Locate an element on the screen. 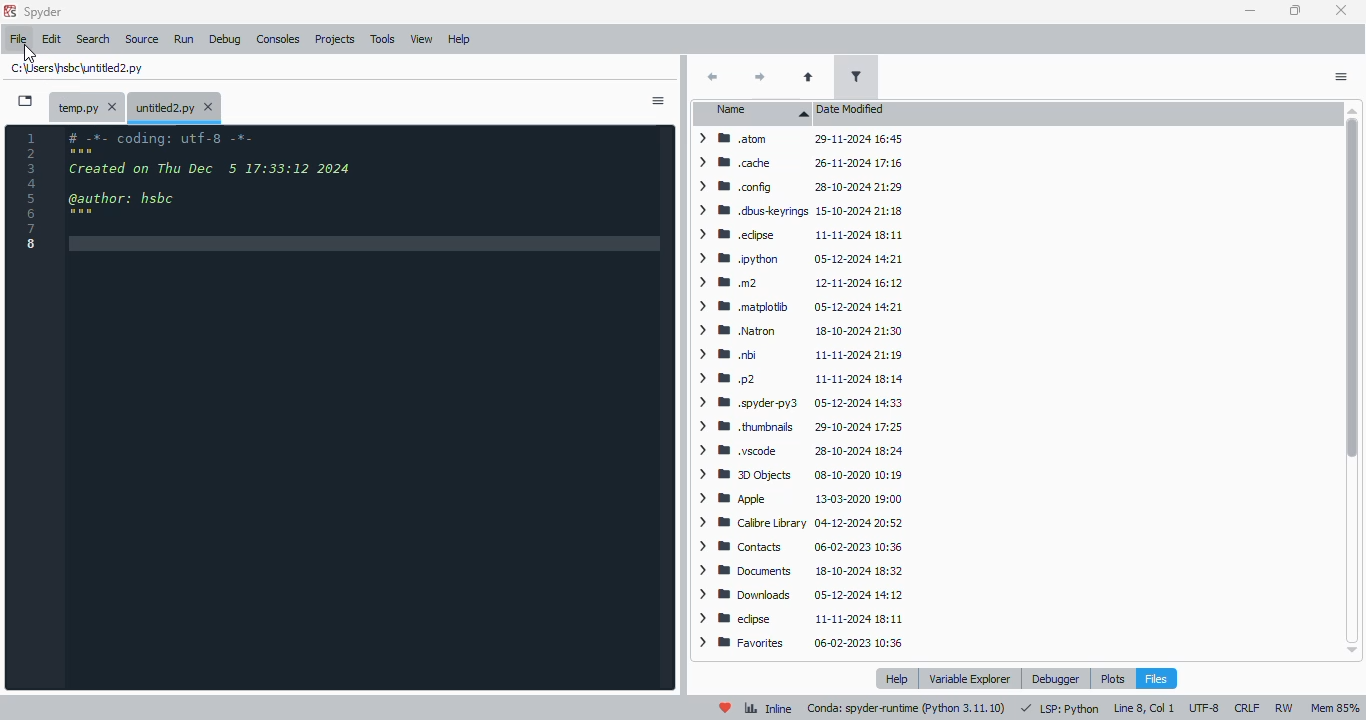 Image resolution: width=1366 pixels, height=720 pixels. vertical scroll bar is located at coordinates (1349, 380).